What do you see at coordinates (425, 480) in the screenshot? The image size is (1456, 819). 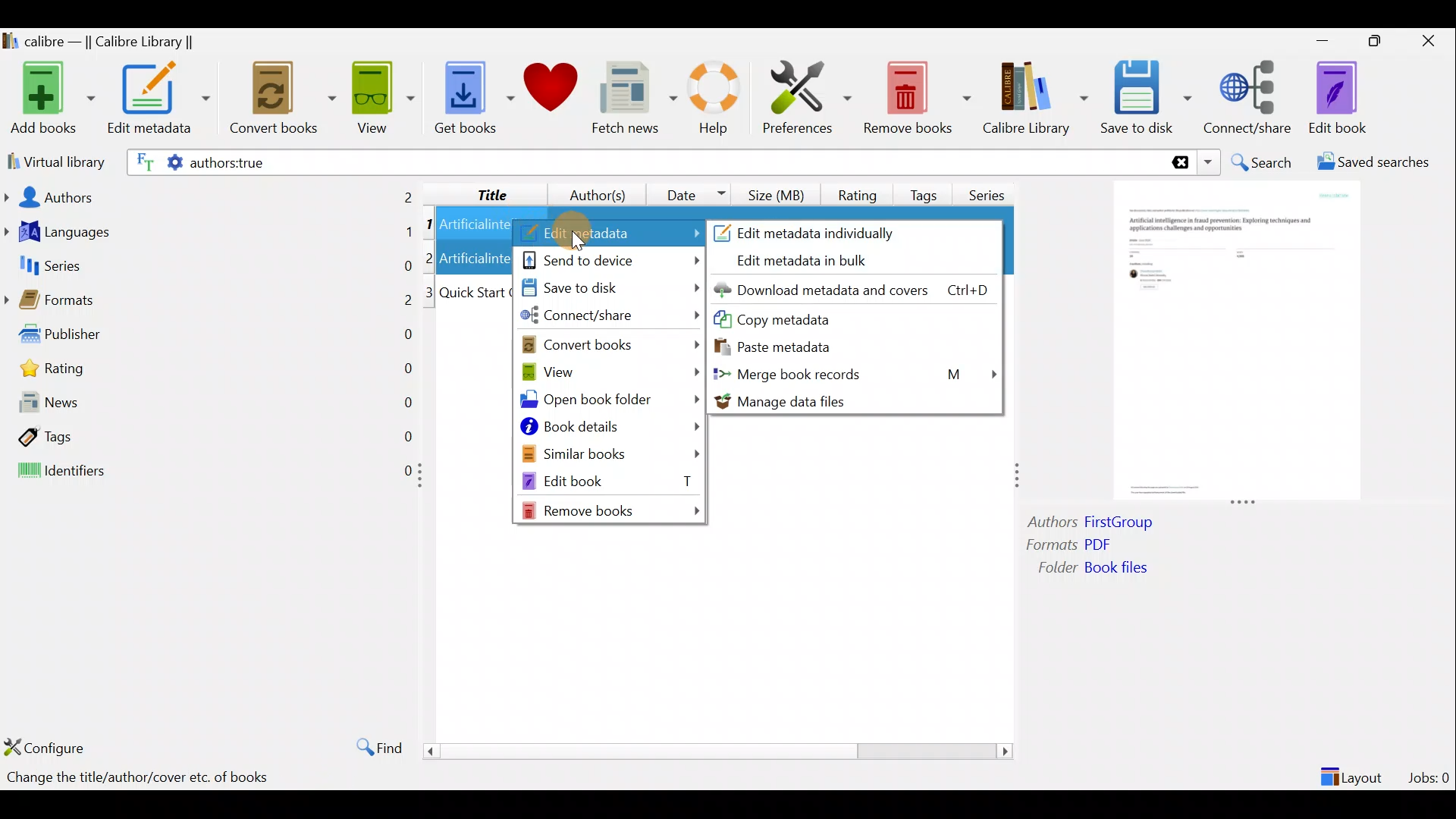 I see `Adjust column to the left` at bounding box center [425, 480].